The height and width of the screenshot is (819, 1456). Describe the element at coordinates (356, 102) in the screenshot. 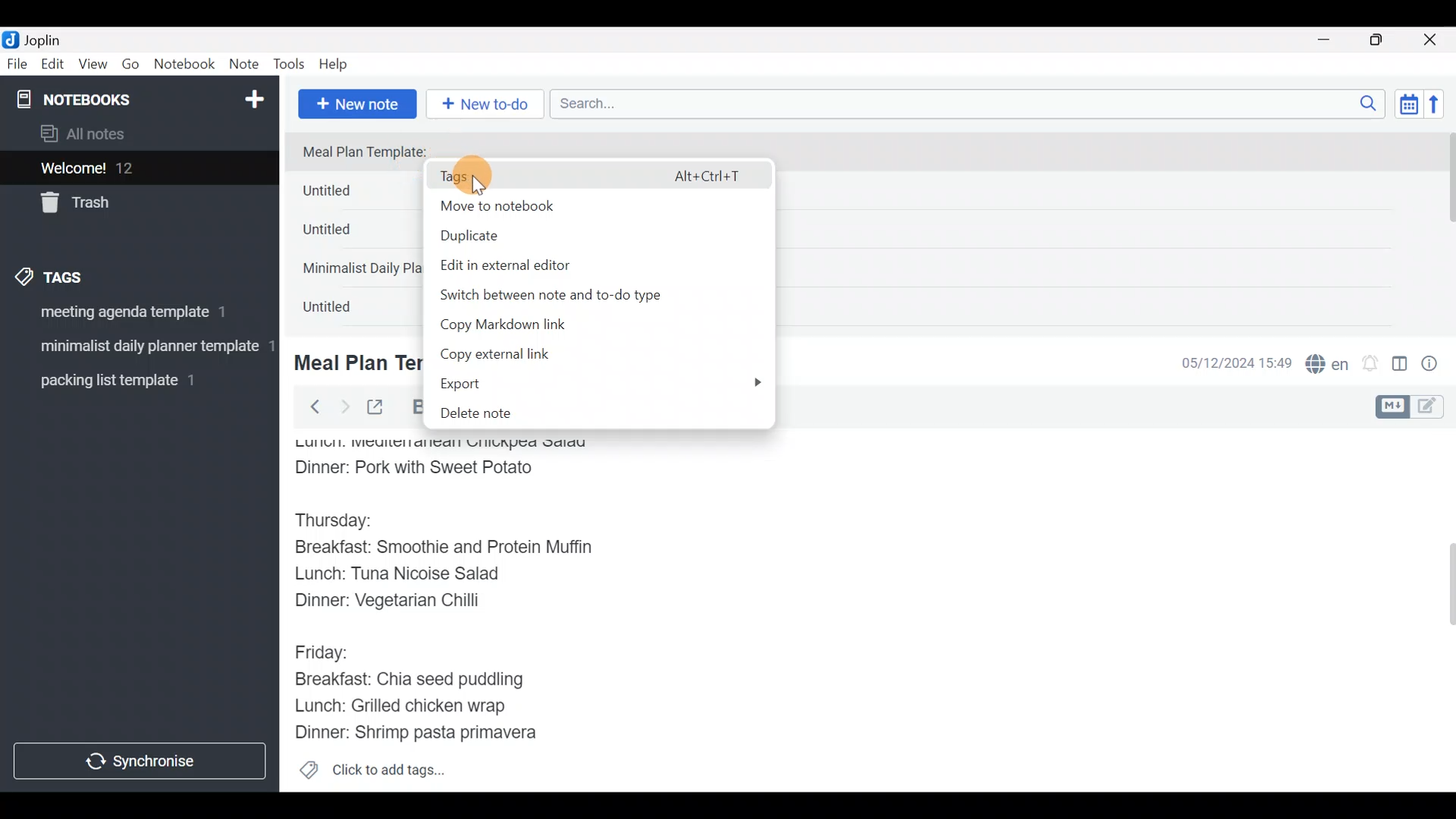

I see `New note` at that location.